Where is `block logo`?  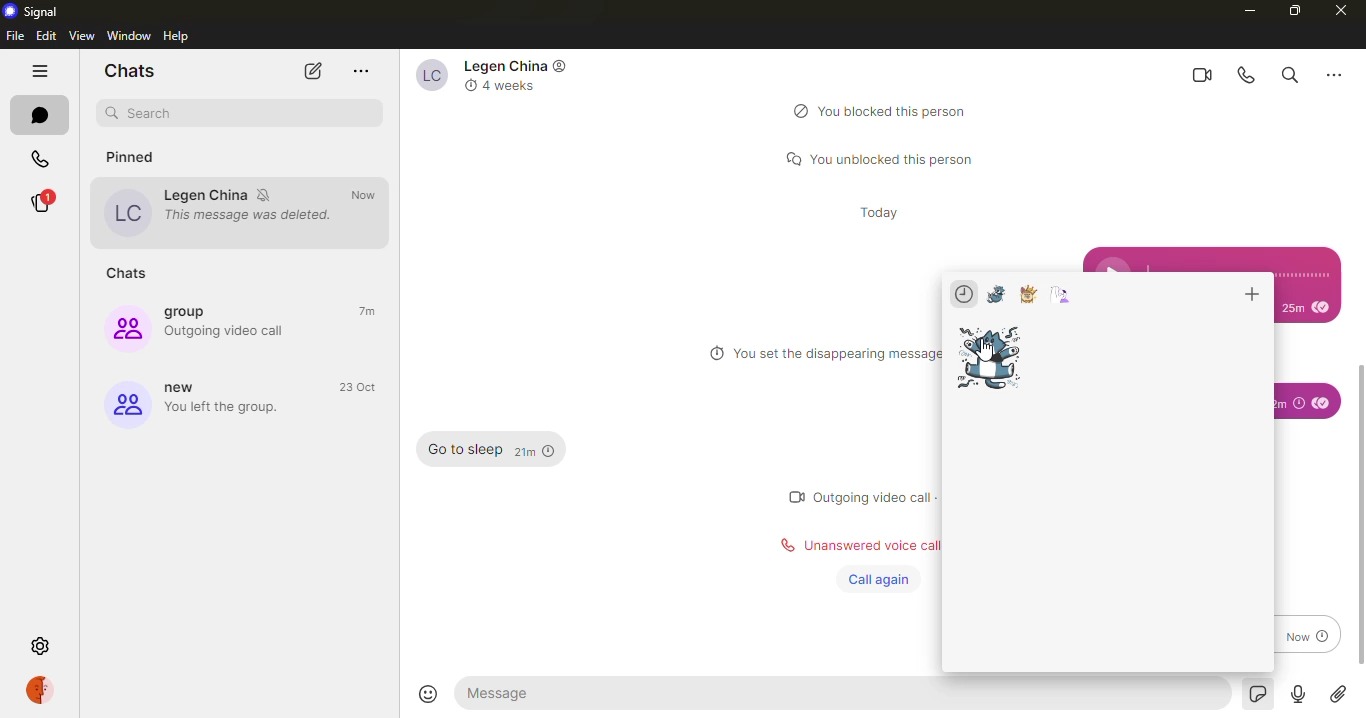 block logo is located at coordinates (797, 110).